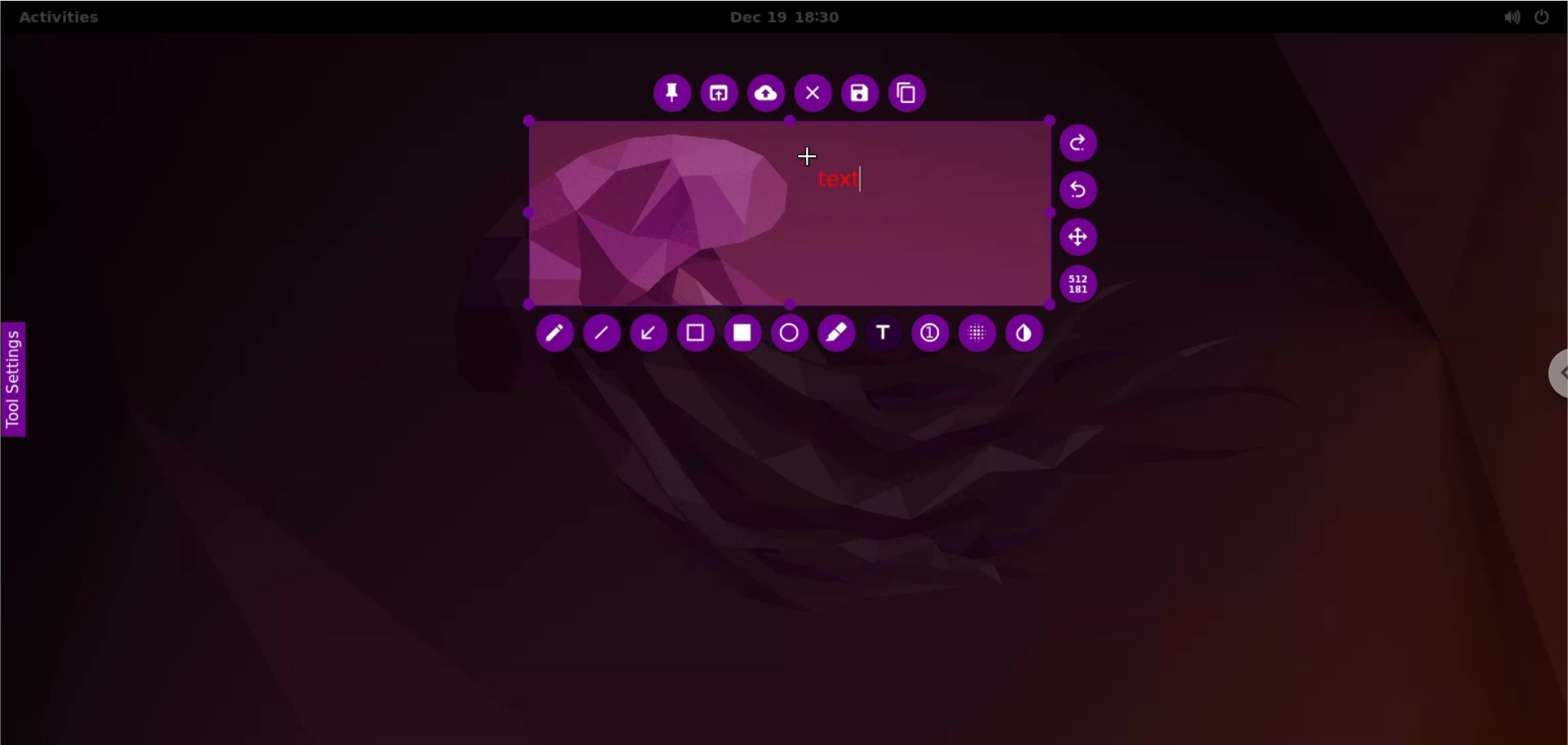 Image resolution: width=1568 pixels, height=745 pixels. What do you see at coordinates (886, 332) in the screenshot?
I see `add text` at bounding box center [886, 332].